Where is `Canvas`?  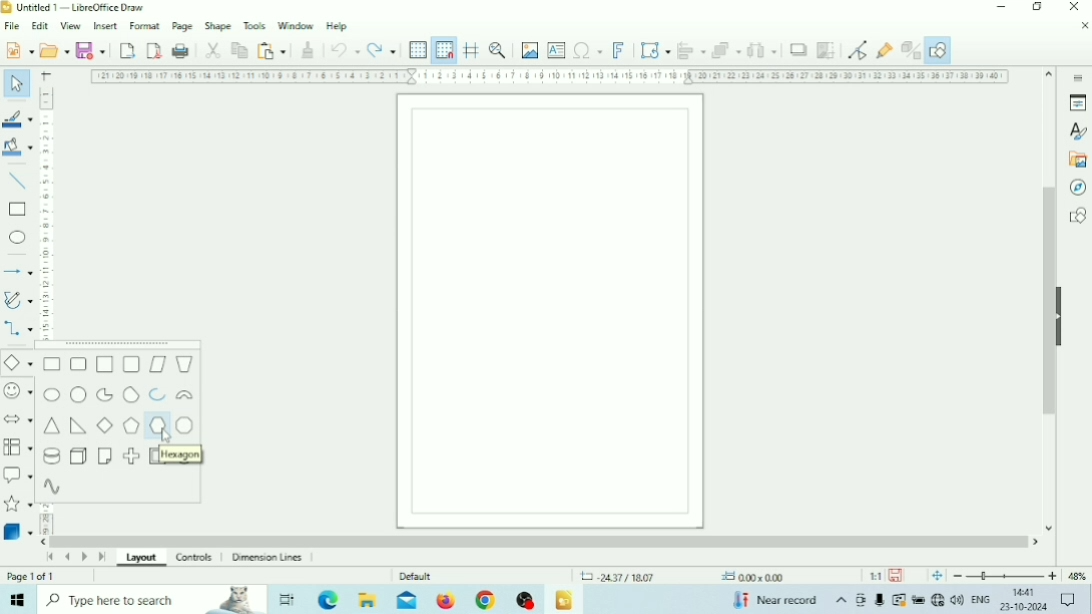
Canvas is located at coordinates (551, 311).